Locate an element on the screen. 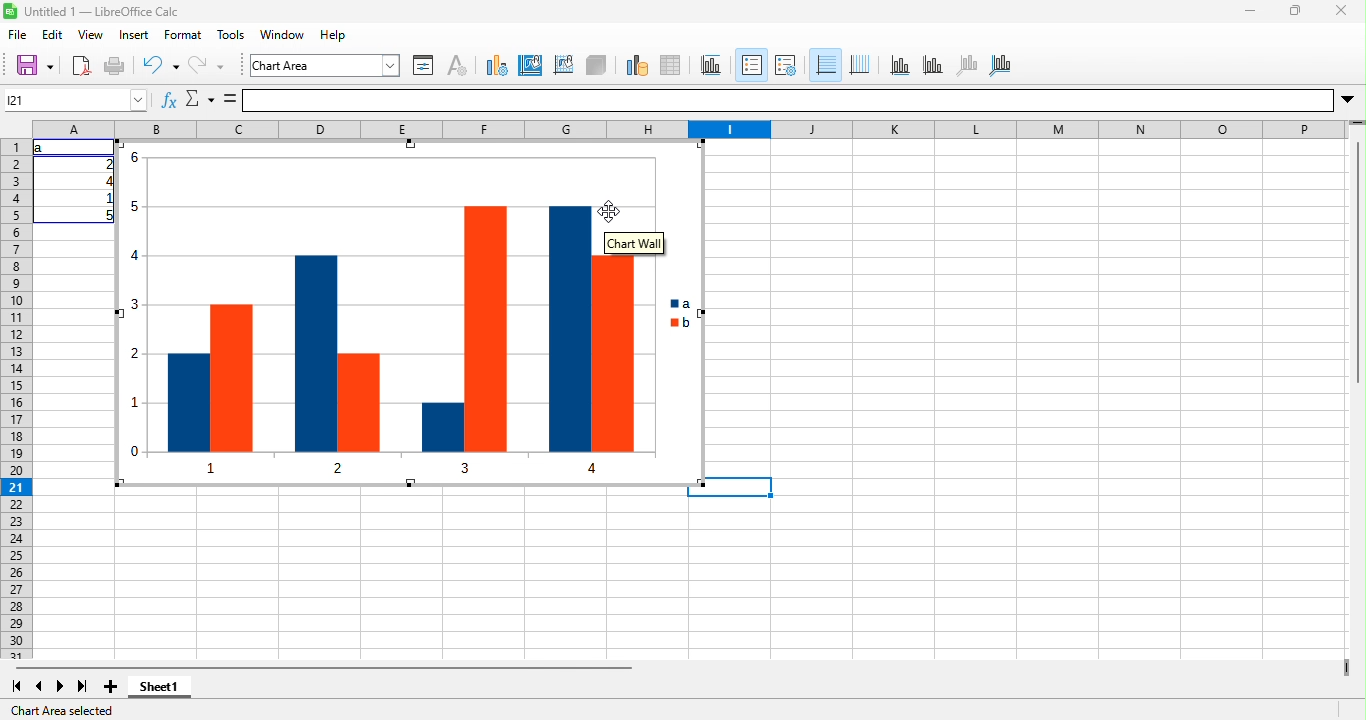  export directly as pdf is located at coordinates (81, 66).